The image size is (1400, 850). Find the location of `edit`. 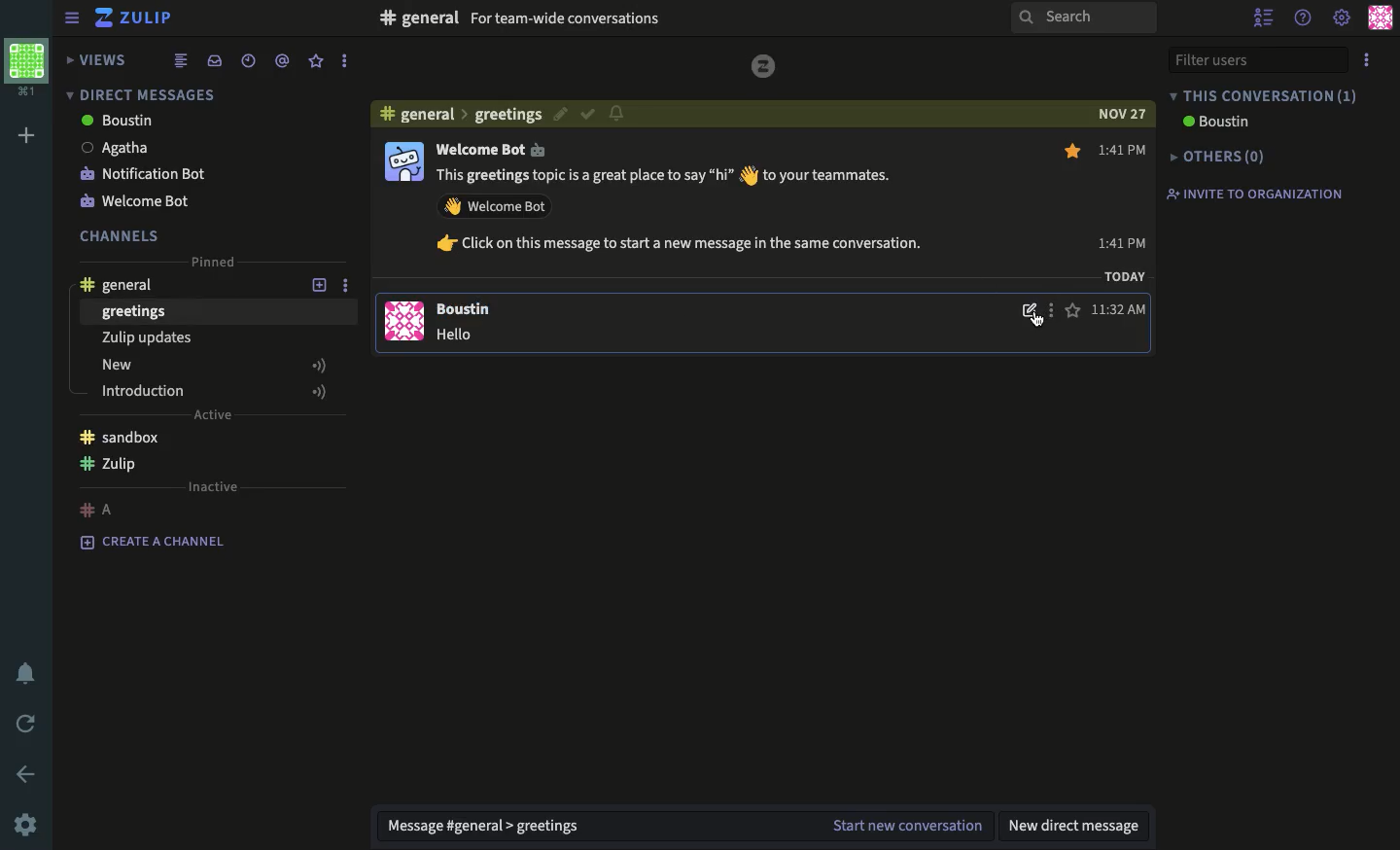

edit is located at coordinates (557, 114).